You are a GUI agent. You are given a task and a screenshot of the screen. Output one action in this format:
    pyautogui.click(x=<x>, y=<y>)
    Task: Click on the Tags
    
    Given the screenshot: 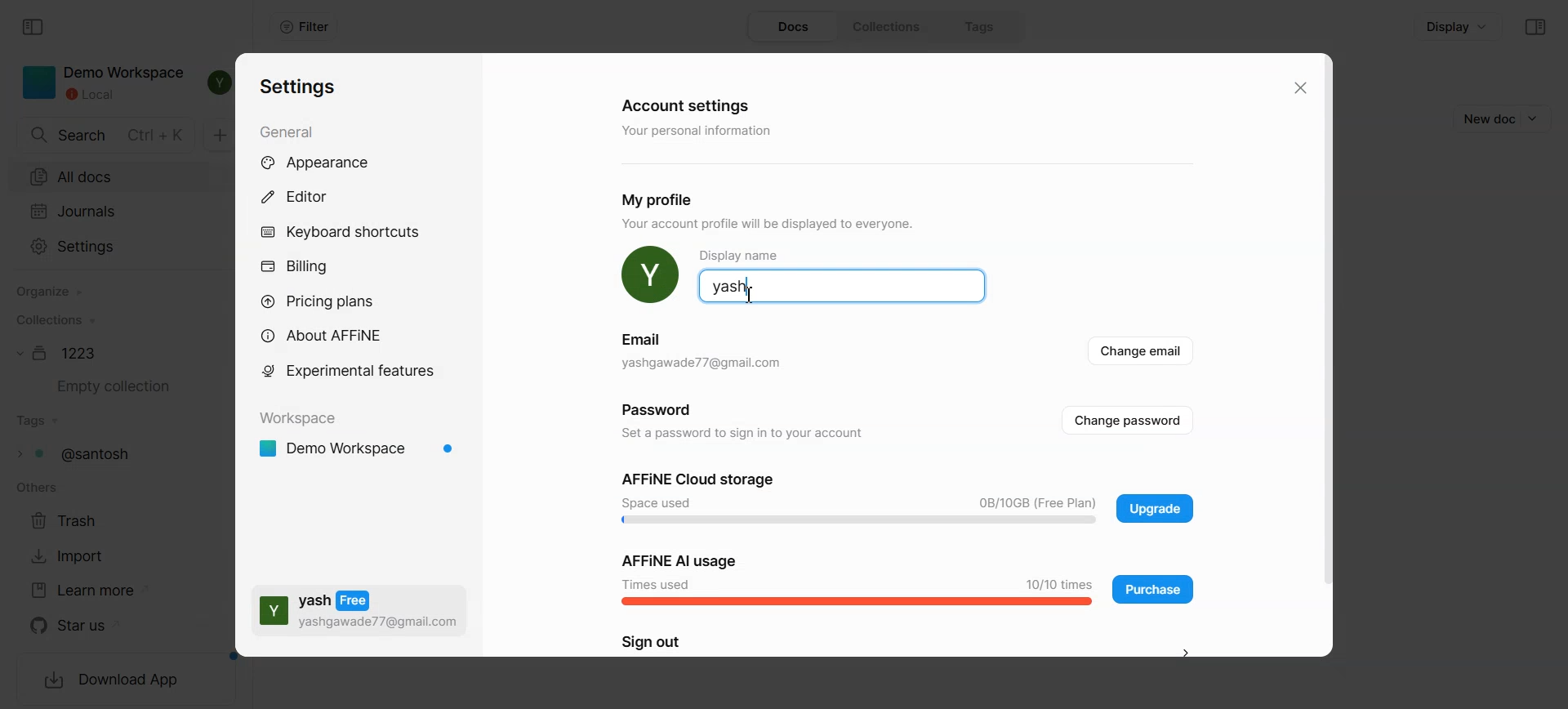 What is the action you would take?
    pyautogui.click(x=38, y=421)
    